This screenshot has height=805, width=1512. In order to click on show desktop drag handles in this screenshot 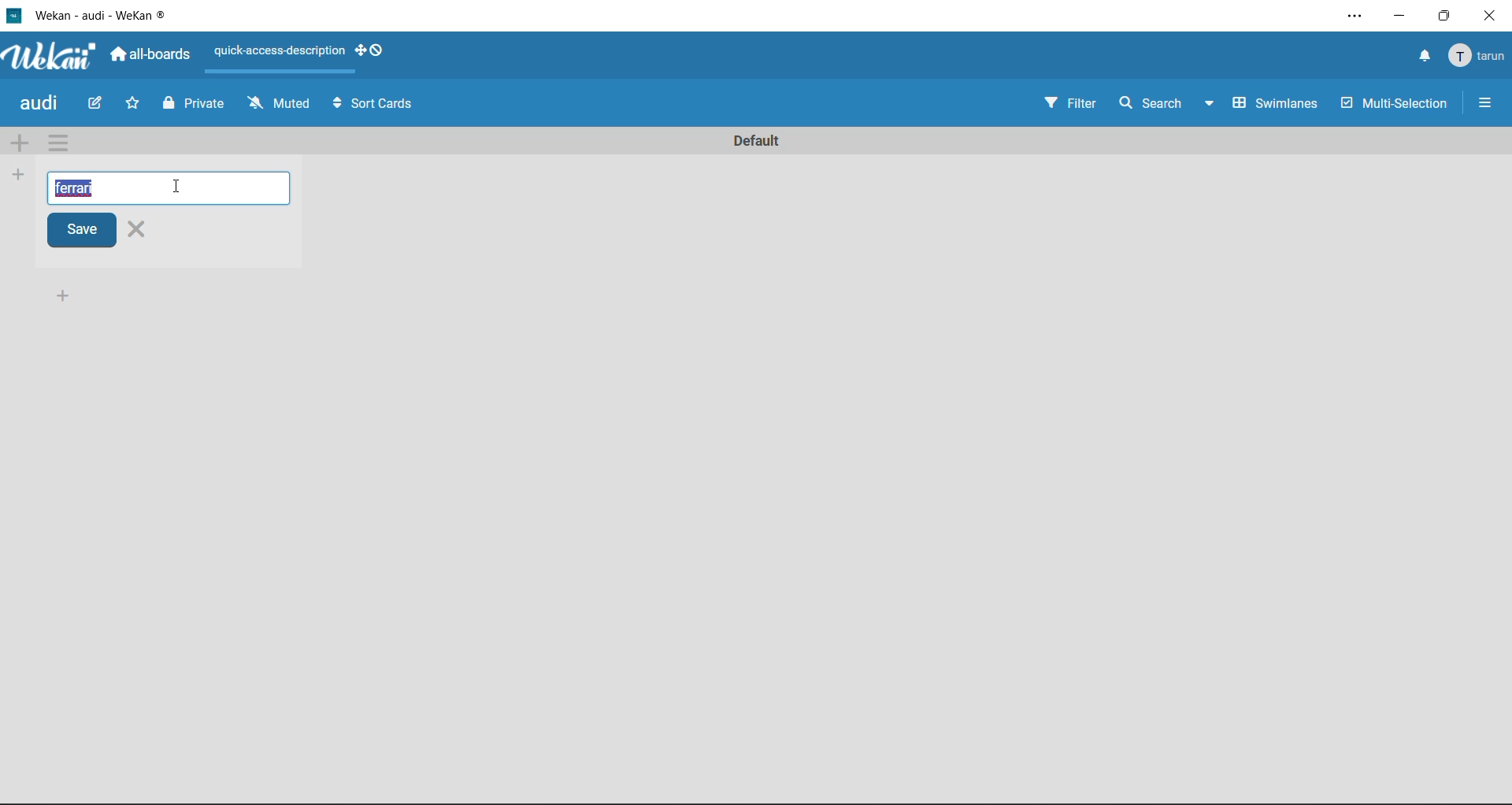, I will do `click(369, 50)`.